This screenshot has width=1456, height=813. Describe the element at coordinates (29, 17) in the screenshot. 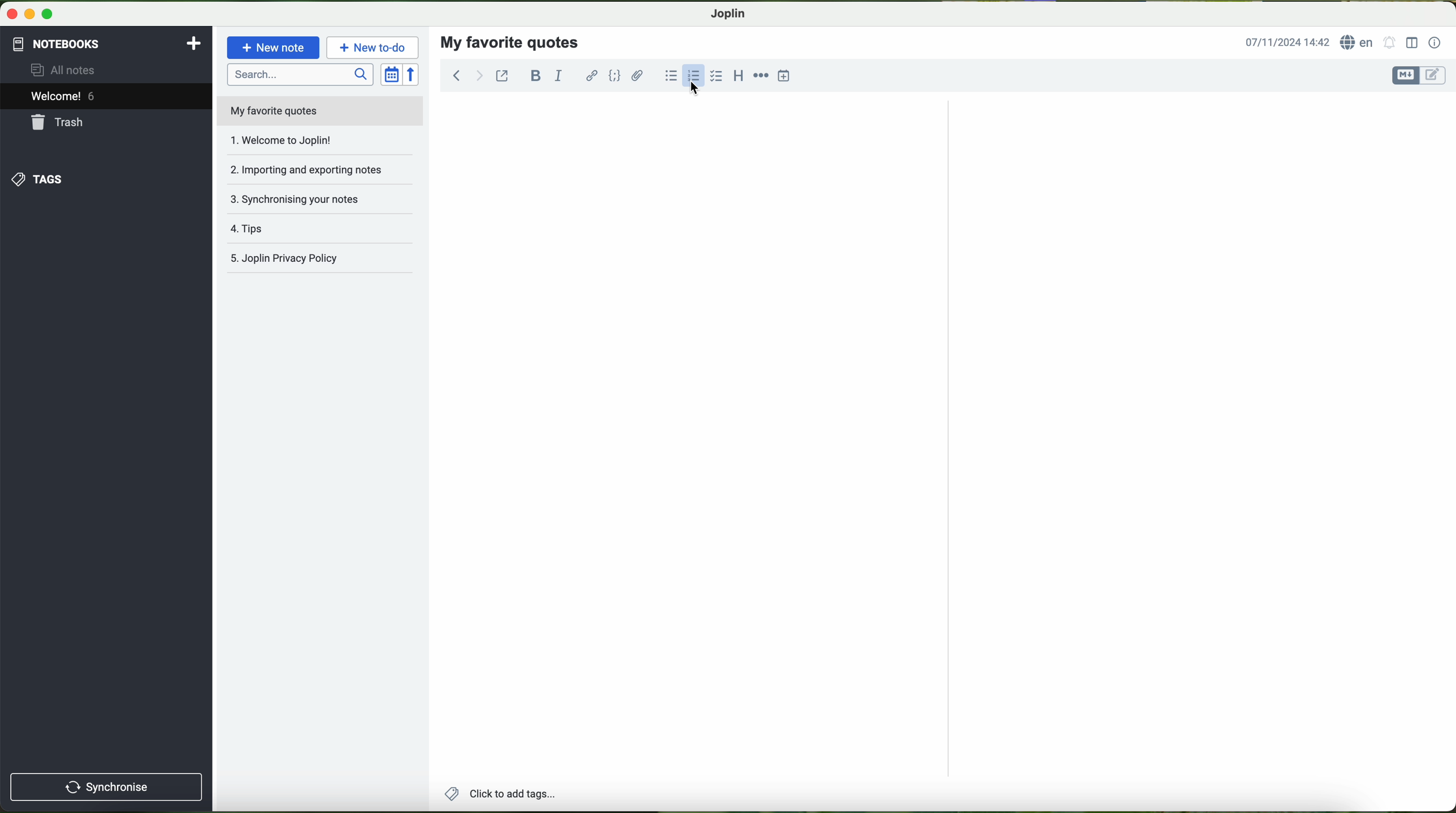

I see `minimize` at that location.